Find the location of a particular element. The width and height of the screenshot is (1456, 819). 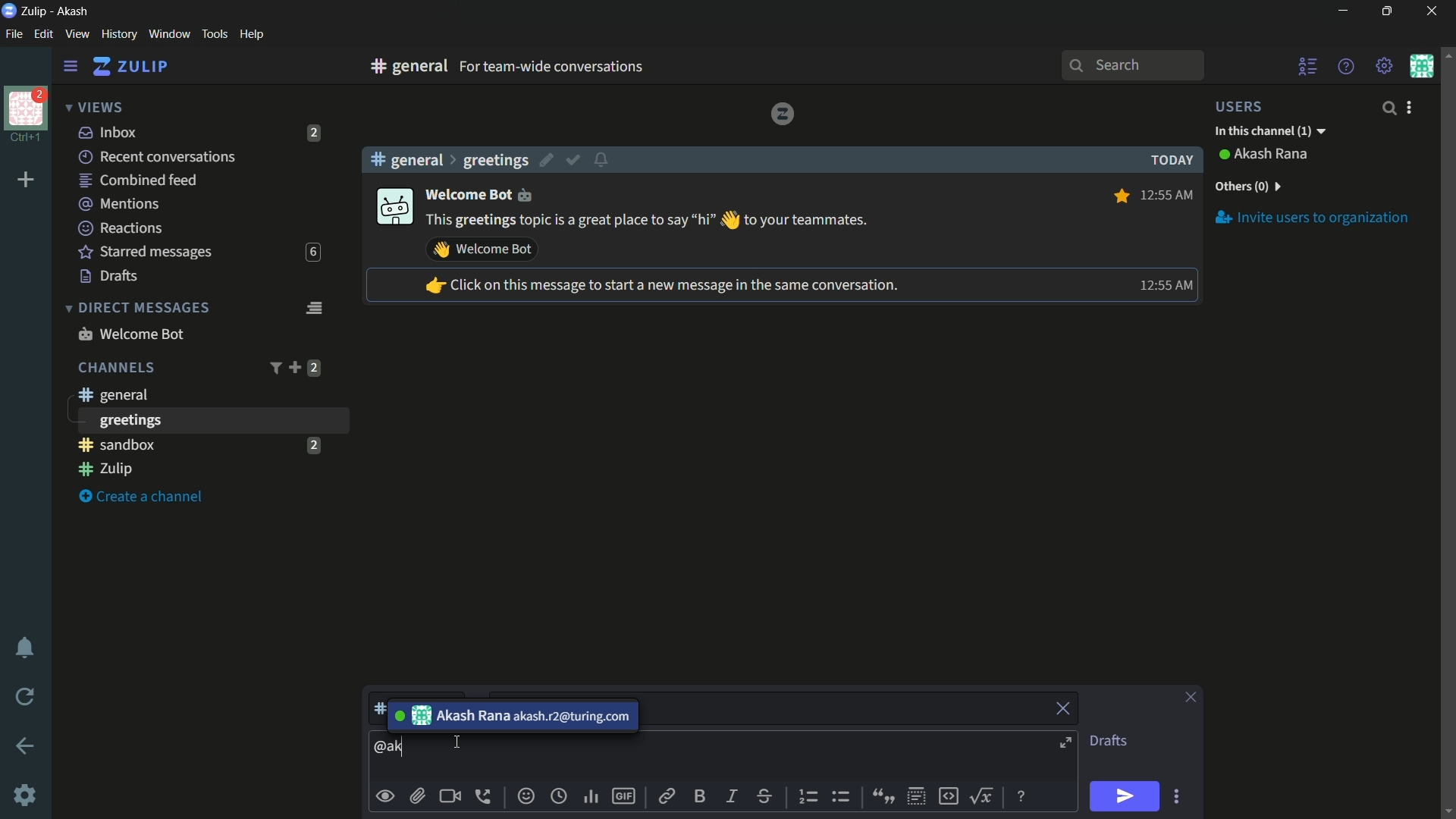

welcome bot is located at coordinates (130, 334).